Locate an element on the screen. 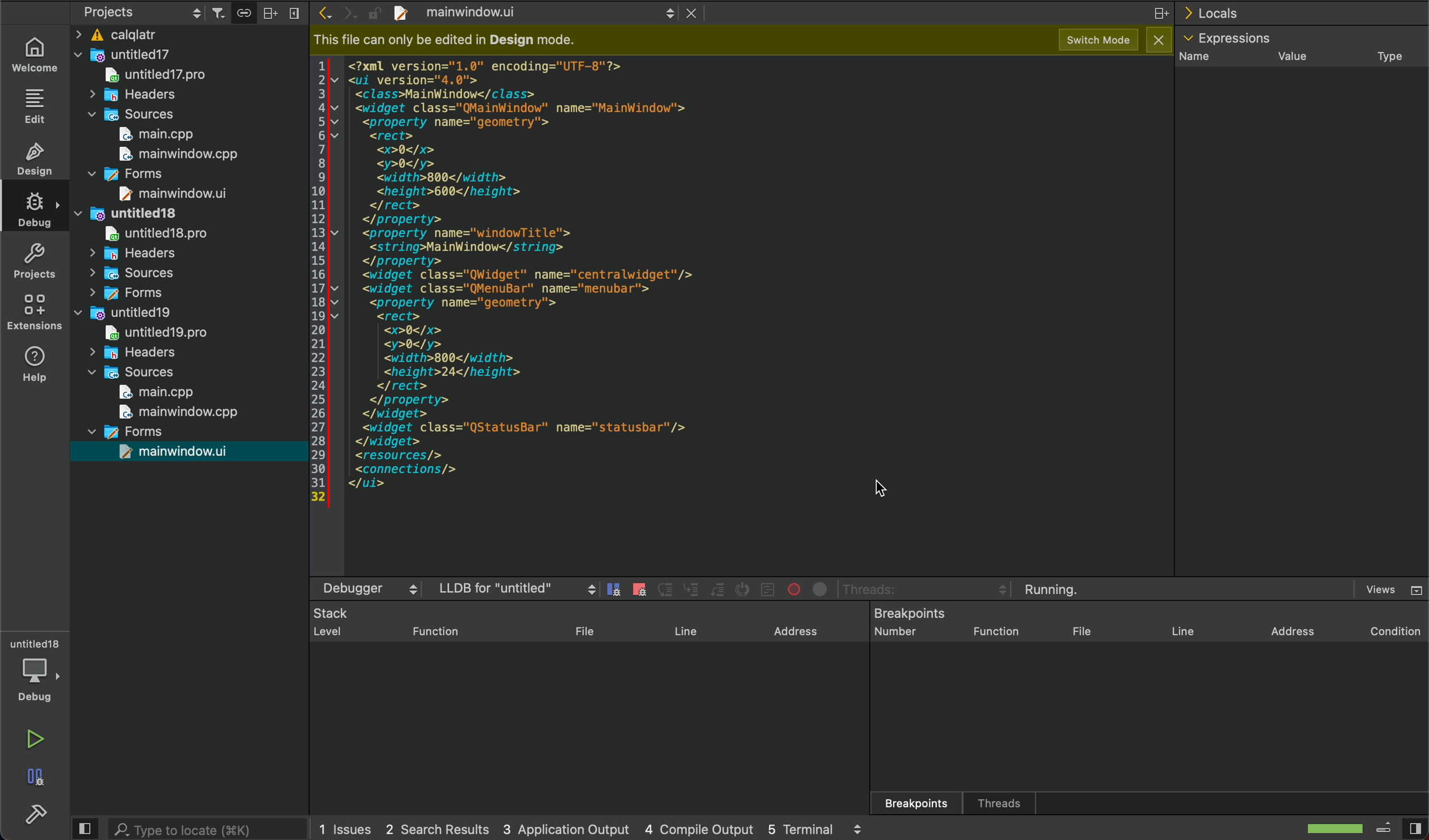 Image resolution: width=1429 pixels, height=840 pixels. scroll up and down is located at coordinates (861, 829).